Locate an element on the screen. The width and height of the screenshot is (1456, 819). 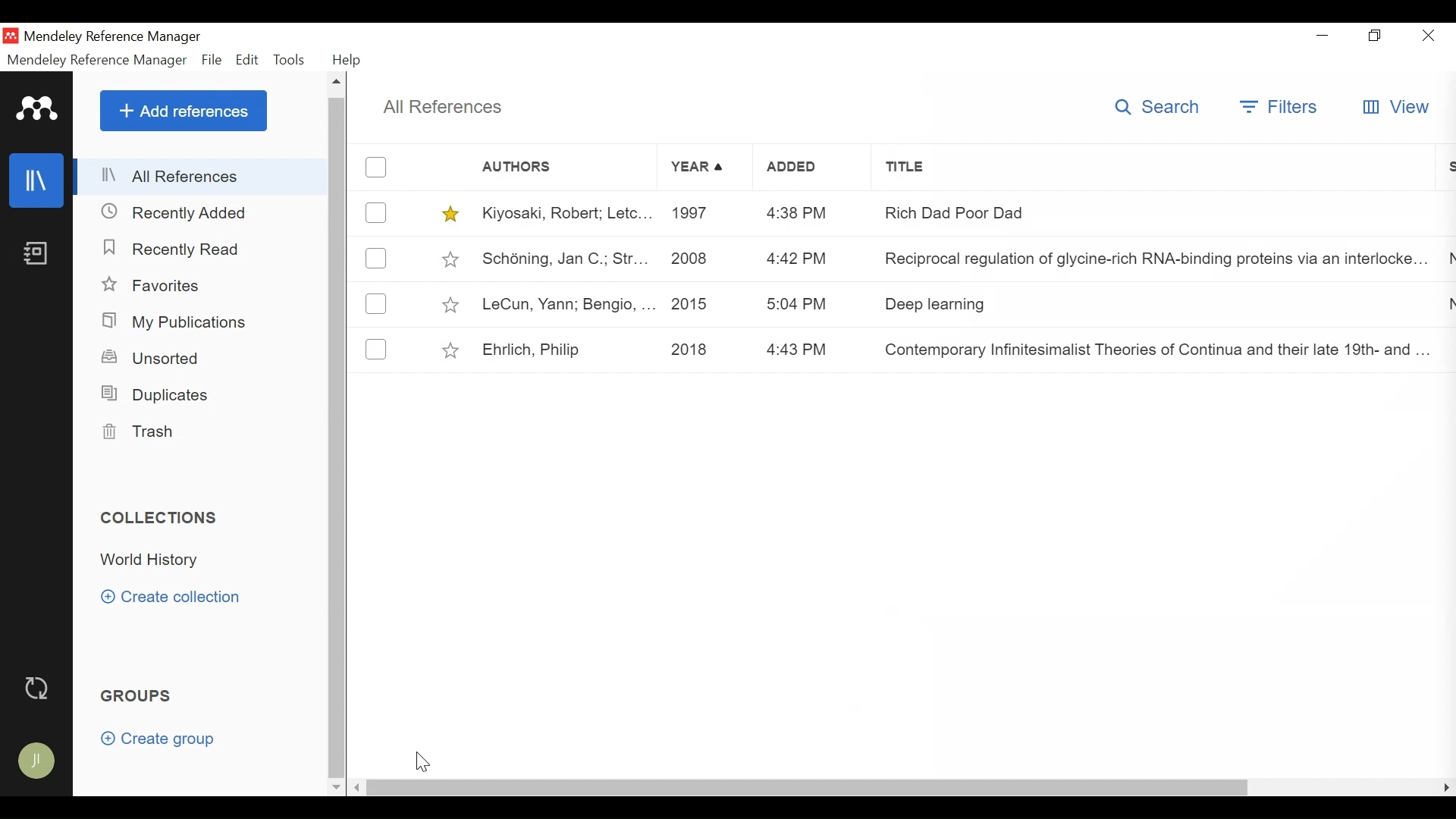
Create group is located at coordinates (161, 739).